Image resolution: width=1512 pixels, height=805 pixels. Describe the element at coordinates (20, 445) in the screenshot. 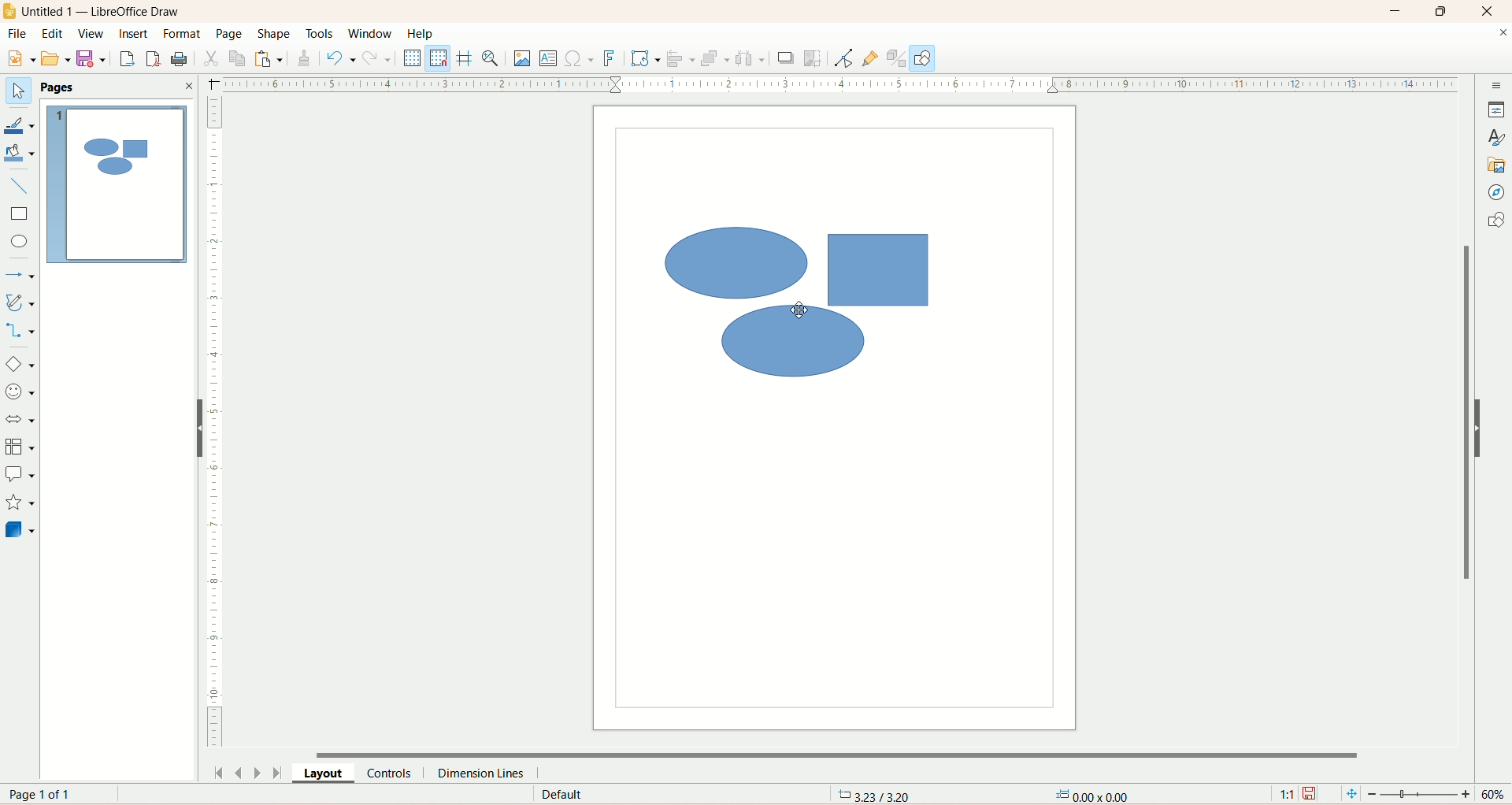

I see `flowchart` at that location.